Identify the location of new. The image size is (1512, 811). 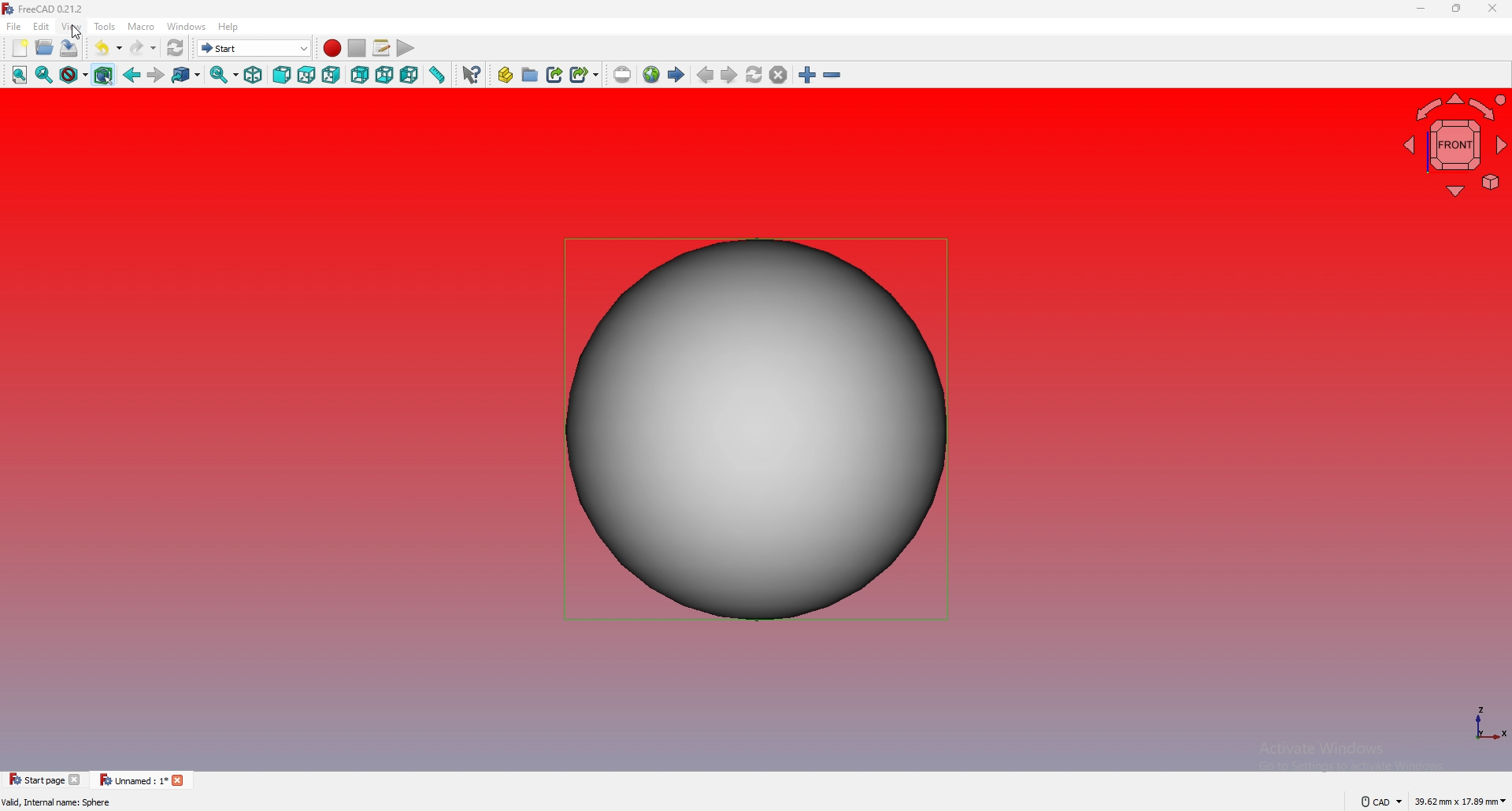
(18, 48).